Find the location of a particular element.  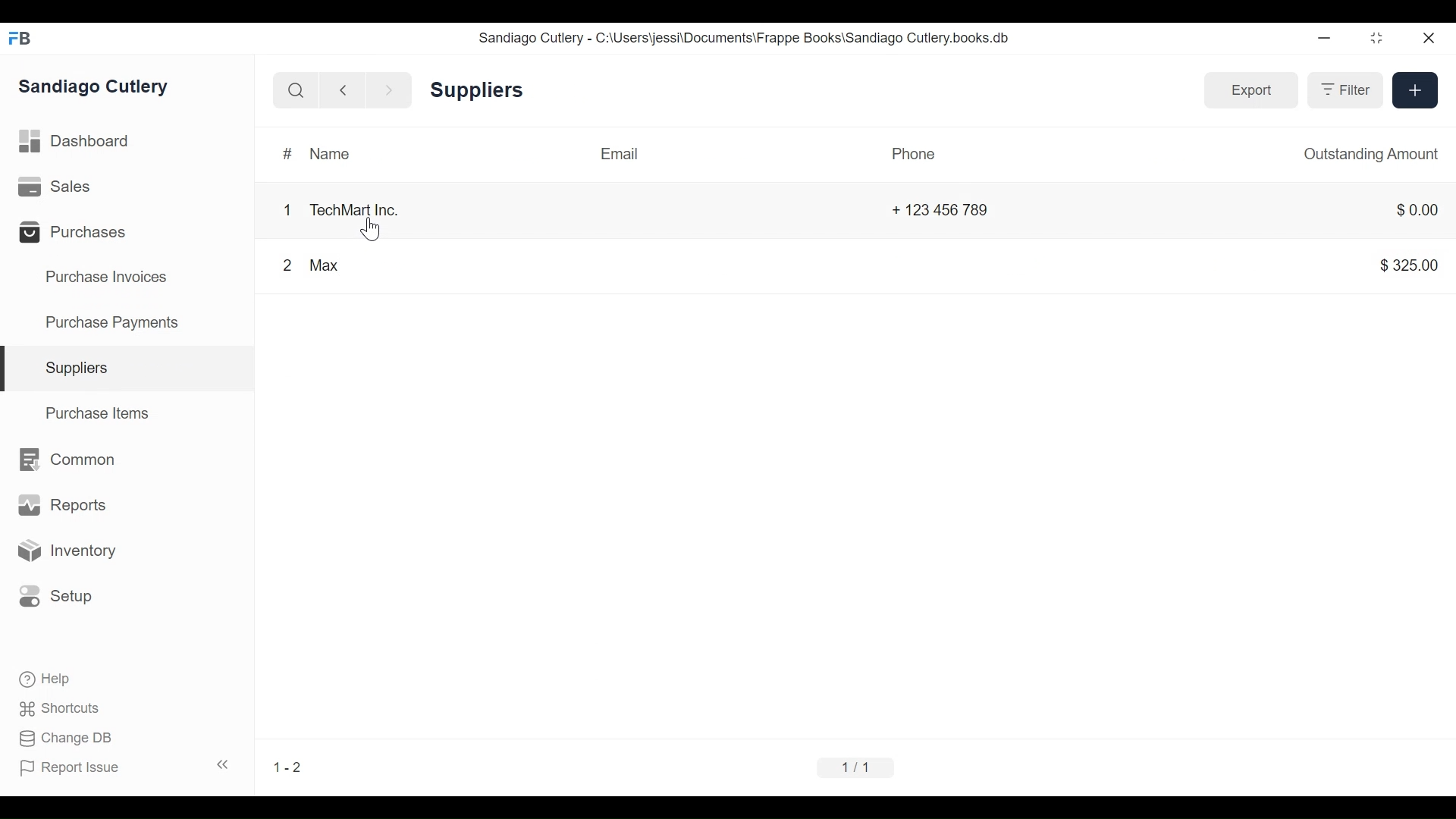

back is located at coordinates (347, 89).